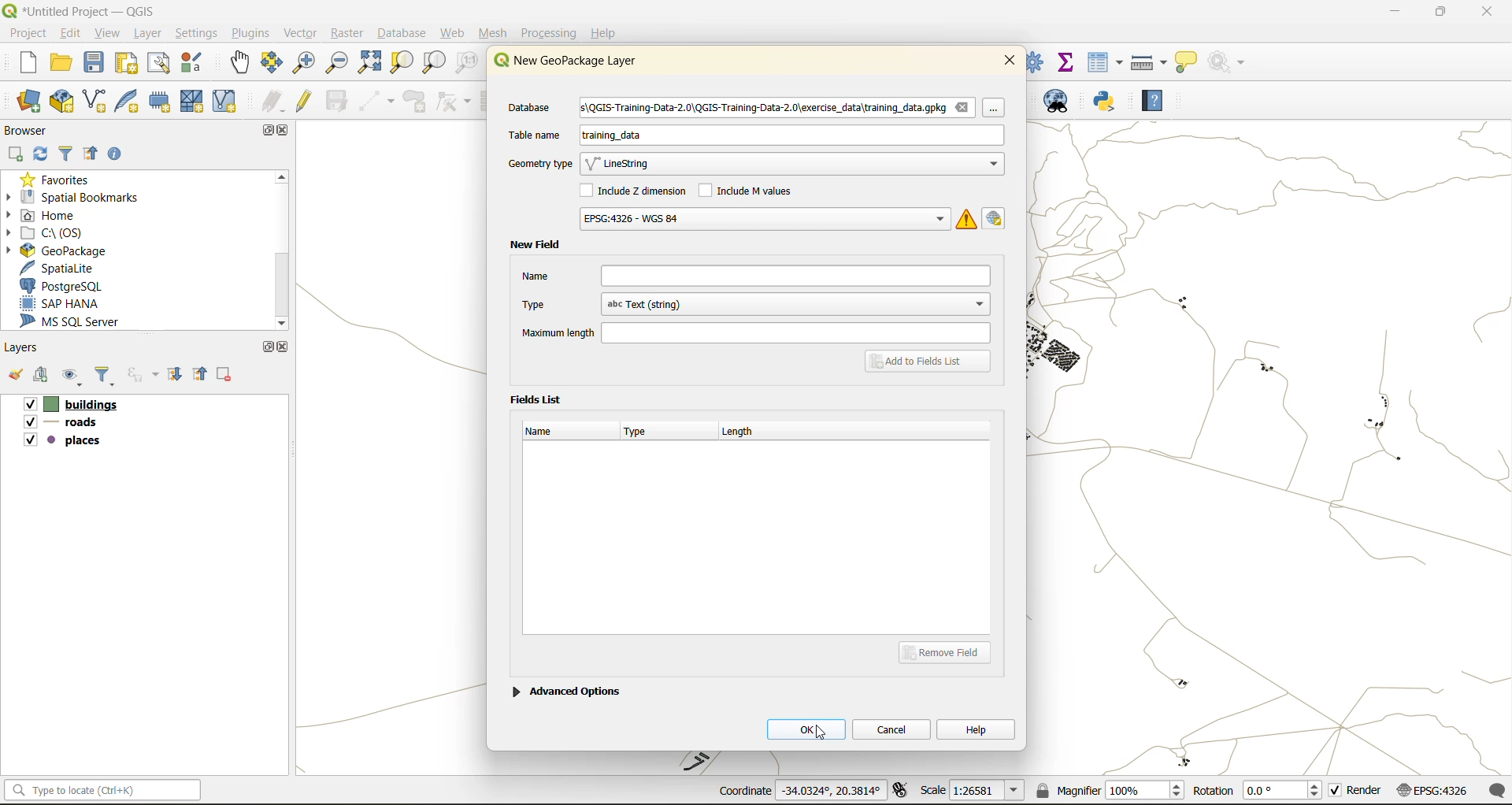 The height and width of the screenshot is (805, 1512). Describe the element at coordinates (29, 102) in the screenshot. I see `open data source manager` at that location.